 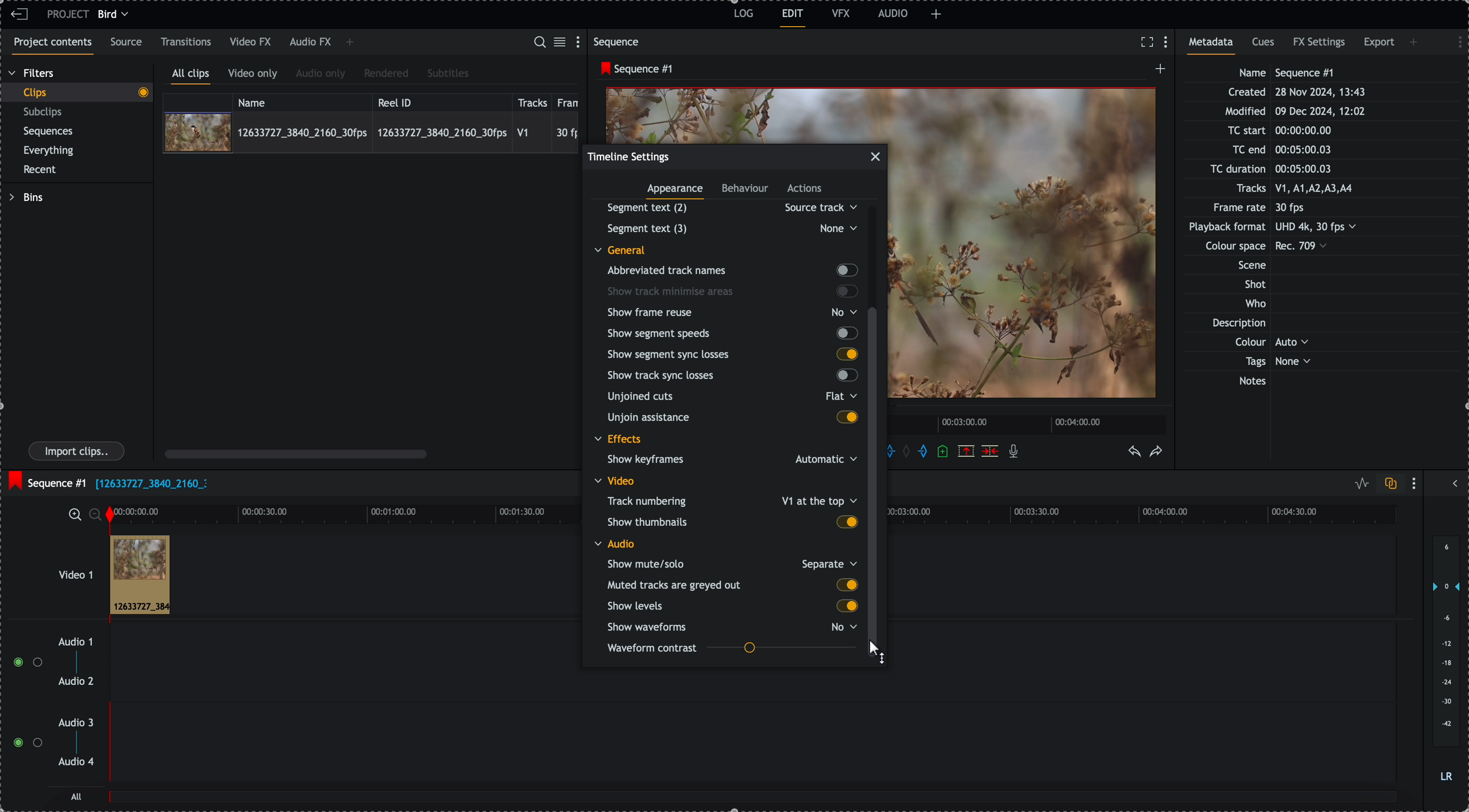 I want to click on redo, so click(x=1156, y=452).